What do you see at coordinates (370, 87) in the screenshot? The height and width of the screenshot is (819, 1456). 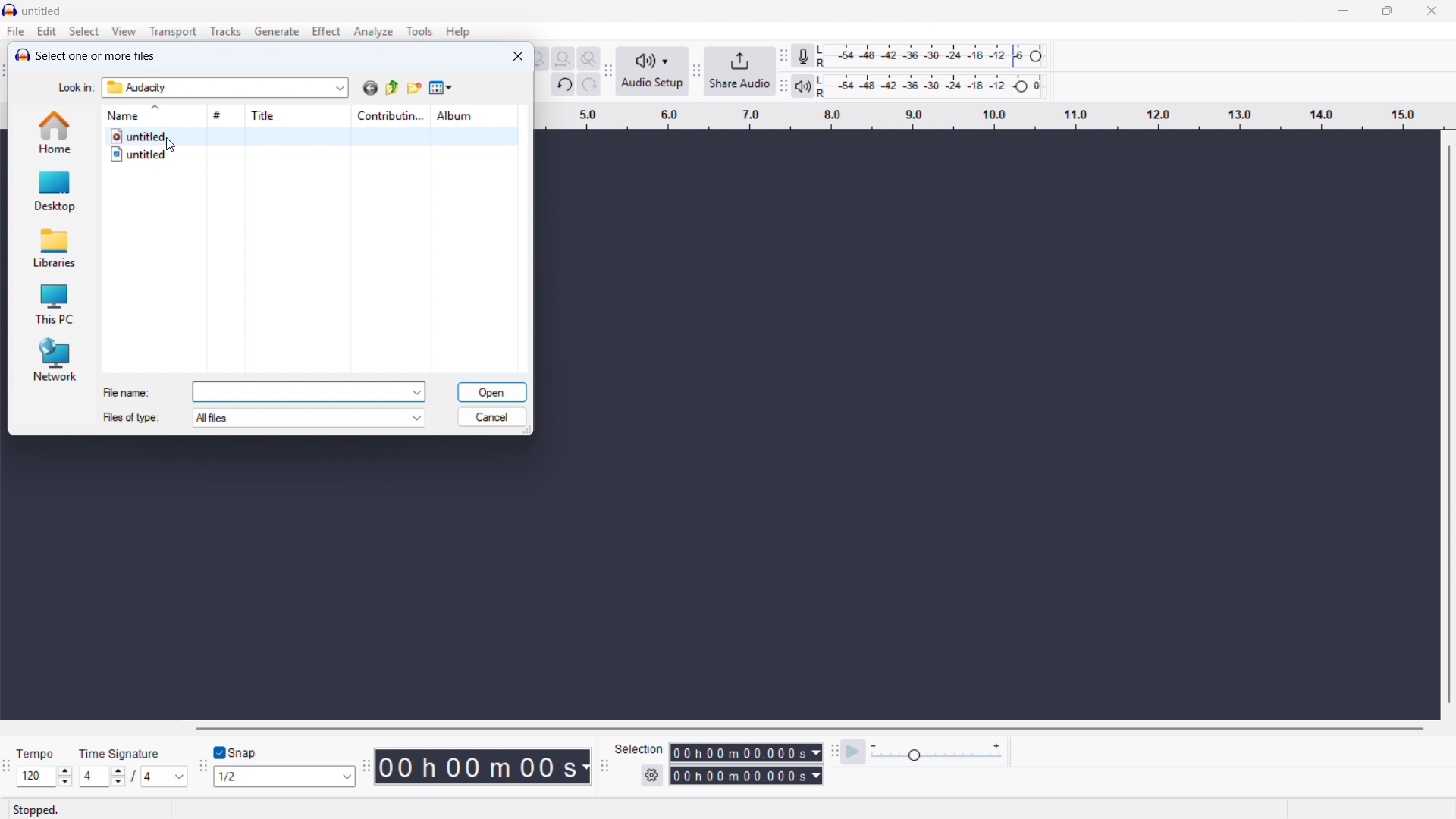 I see `Go back` at bounding box center [370, 87].